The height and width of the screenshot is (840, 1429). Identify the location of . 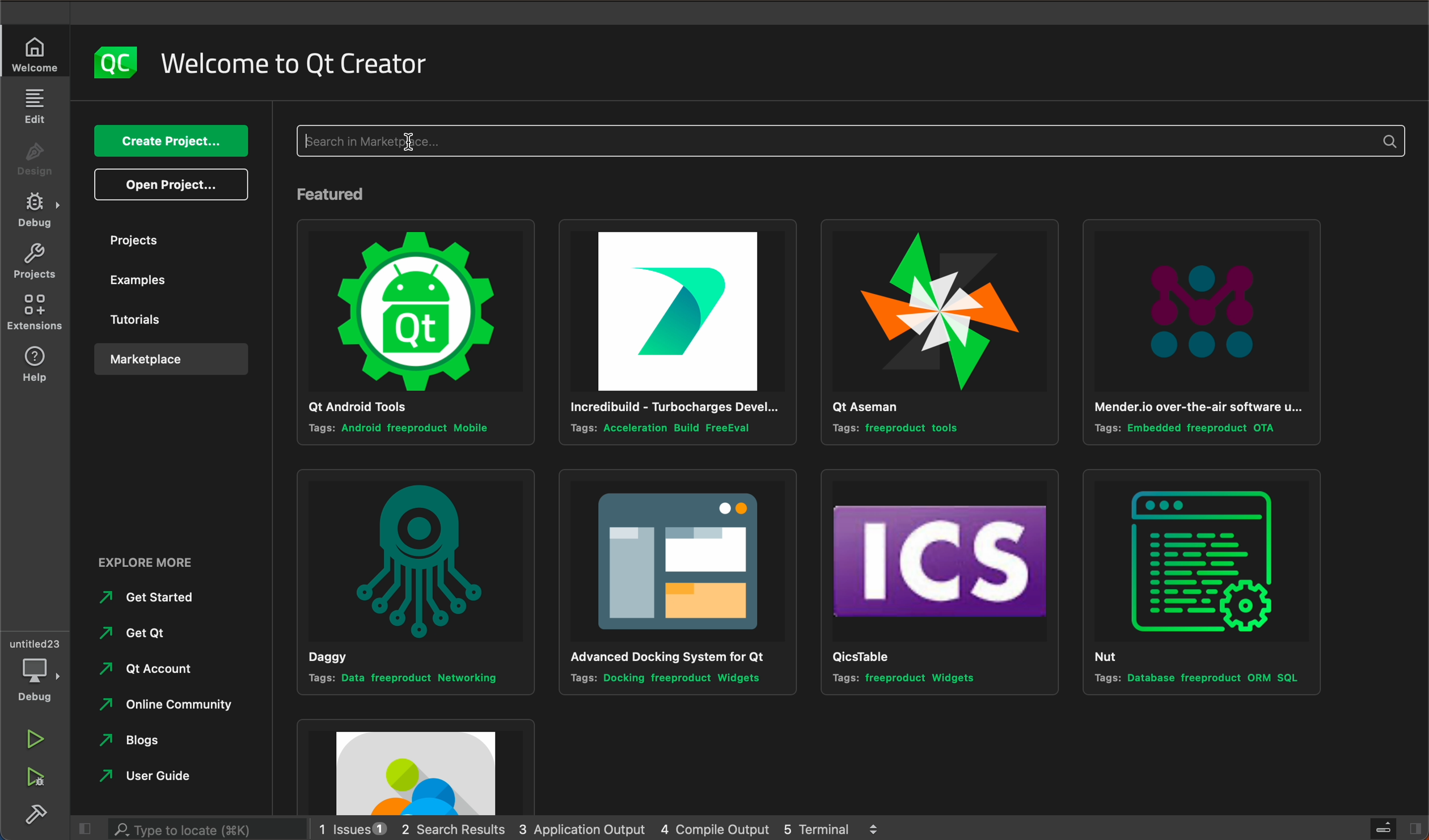
(1201, 582).